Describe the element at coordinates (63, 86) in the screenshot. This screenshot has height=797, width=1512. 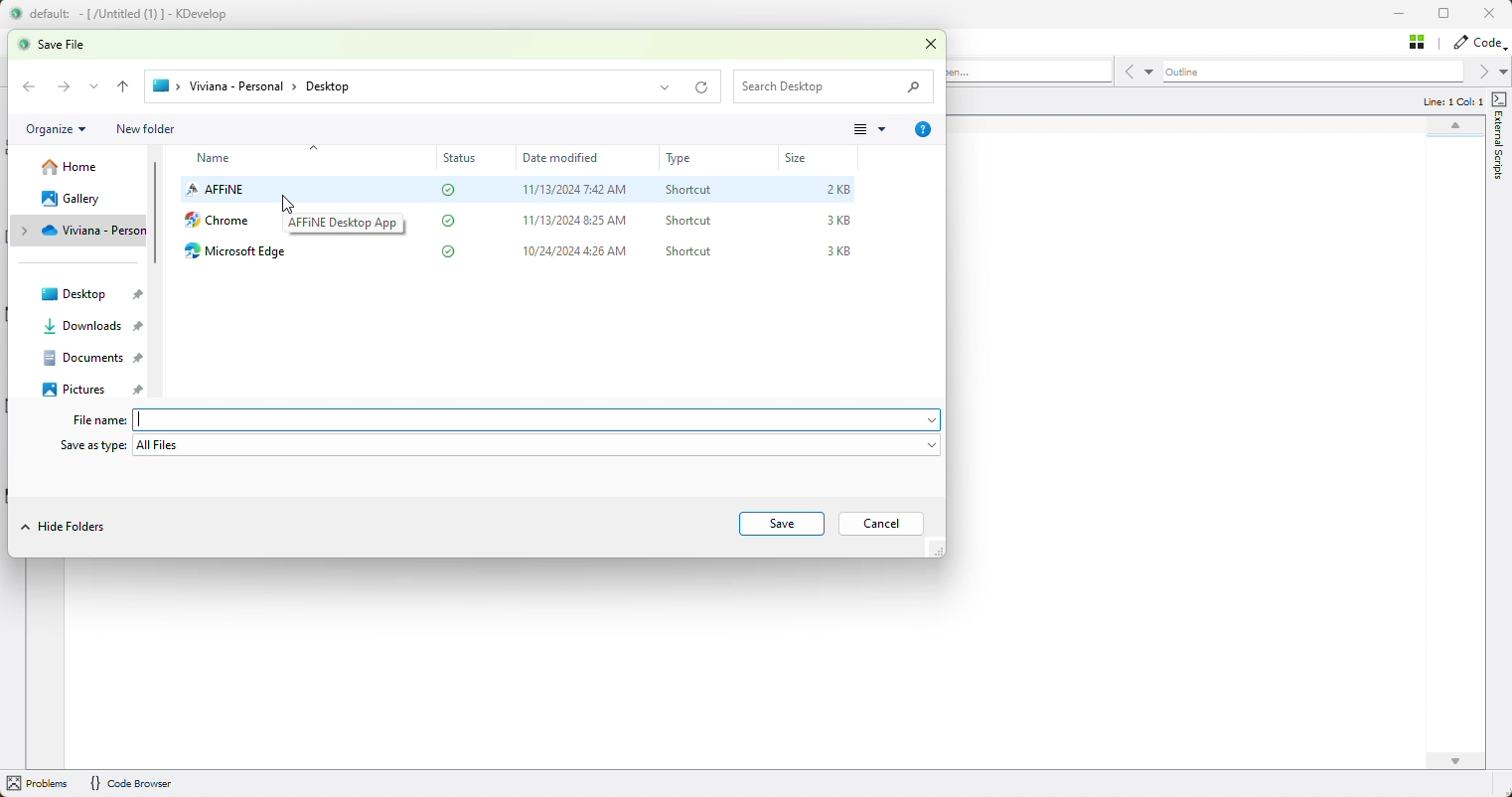
I see `Forward ` at that location.